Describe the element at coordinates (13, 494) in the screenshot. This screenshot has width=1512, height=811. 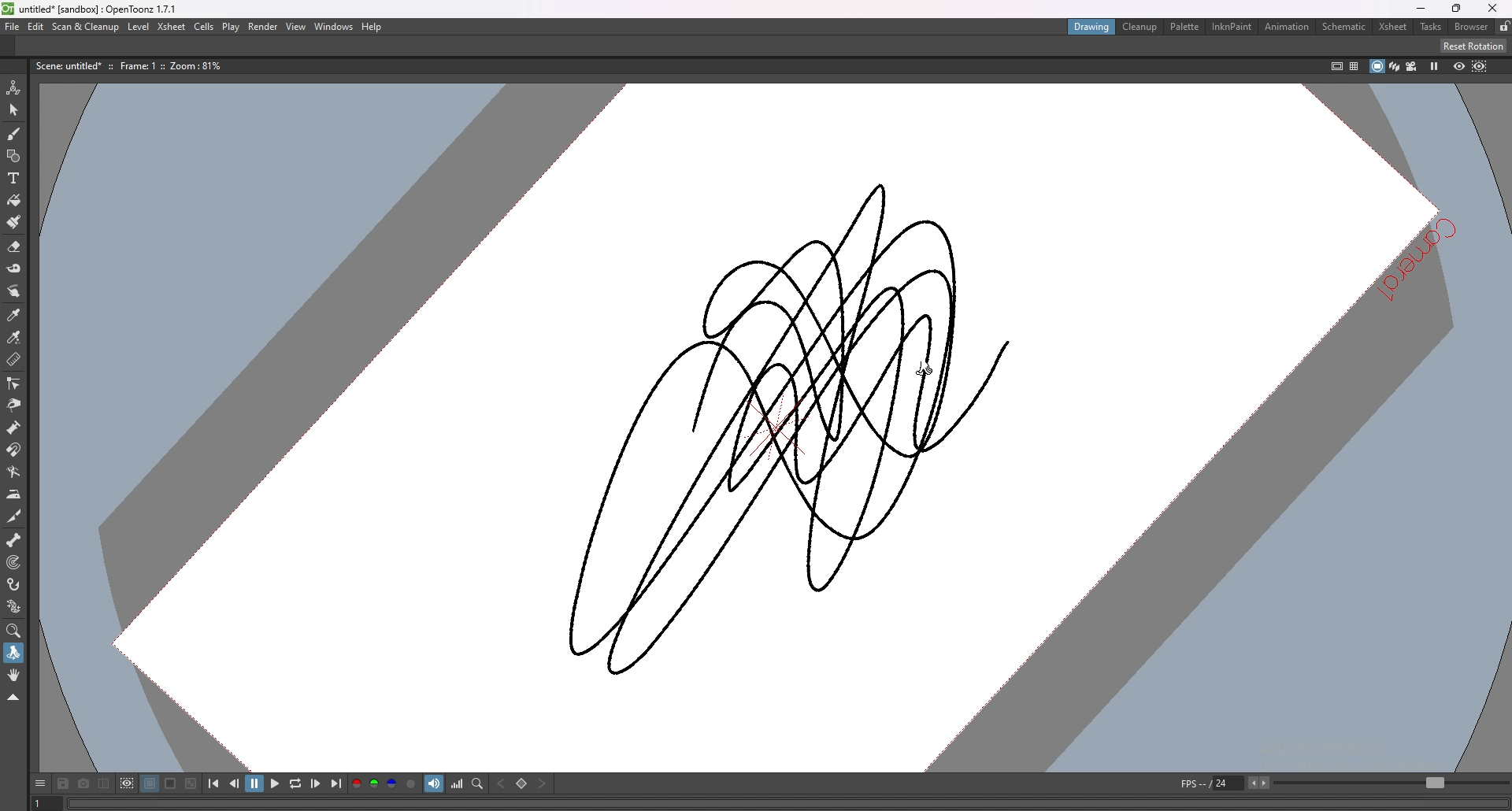
I see `iron` at that location.